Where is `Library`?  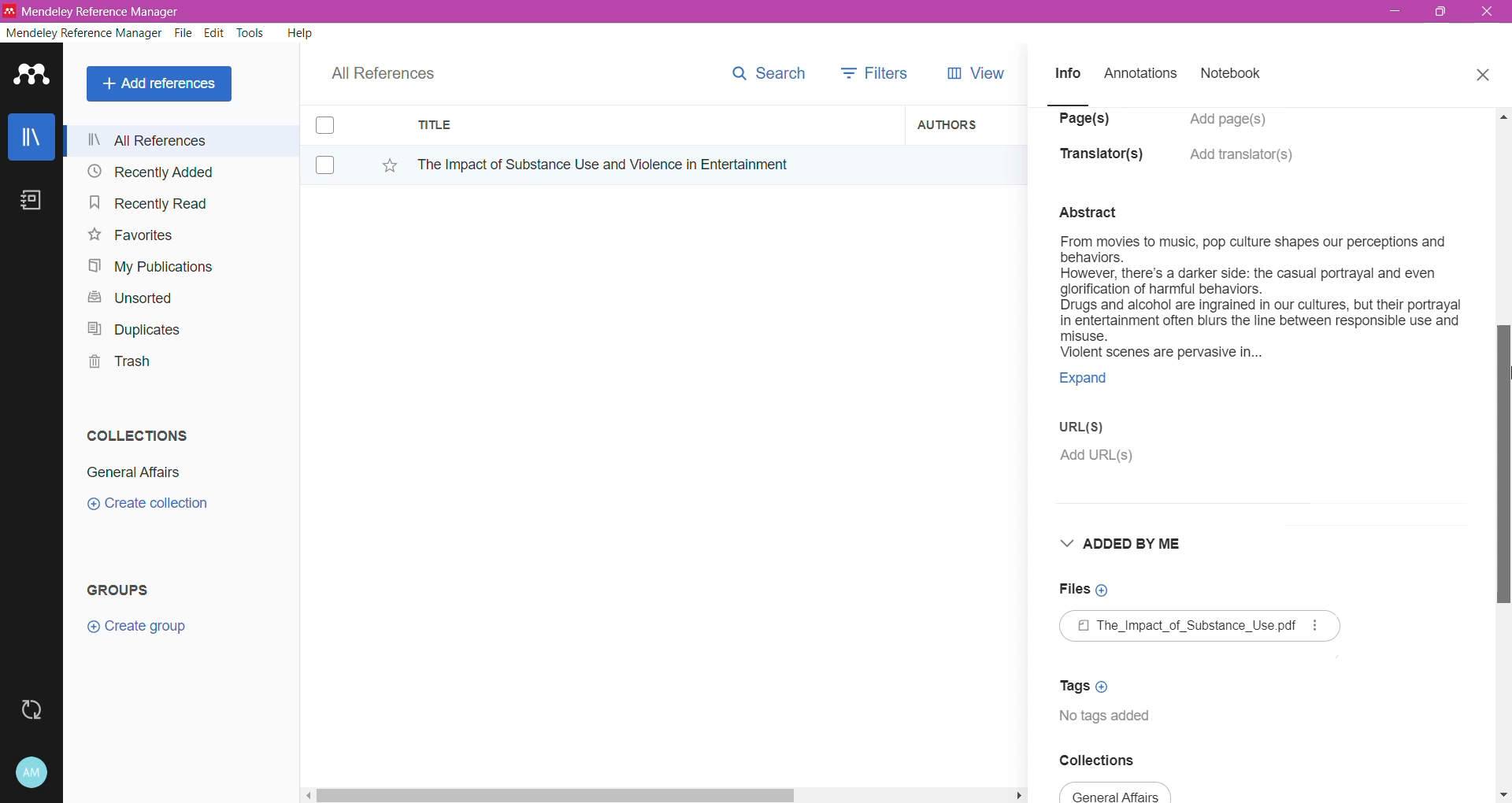 Library is located at coordinates (31, 139).